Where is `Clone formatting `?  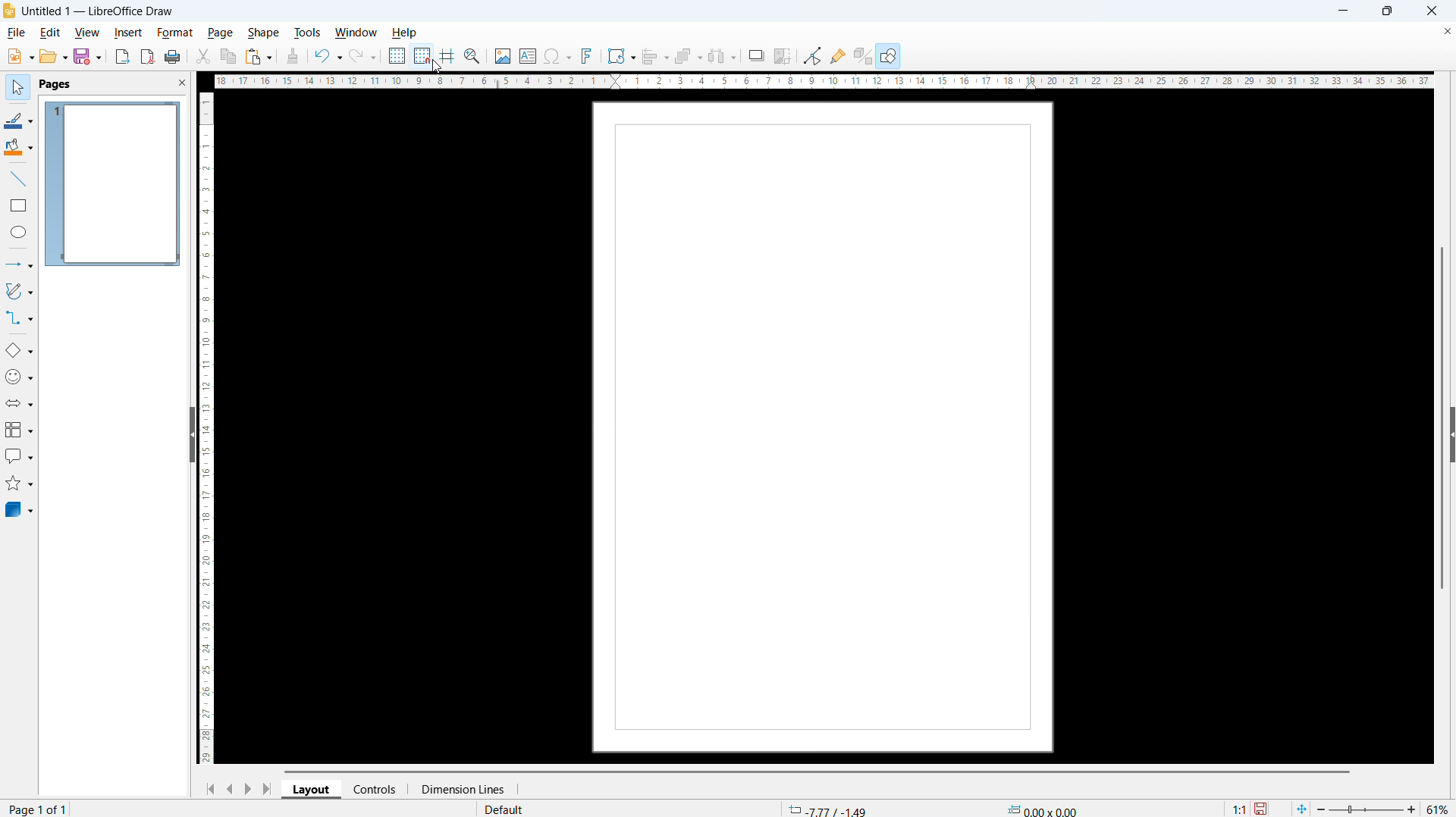 Clone formatting  is located at coordinates (291, 56).